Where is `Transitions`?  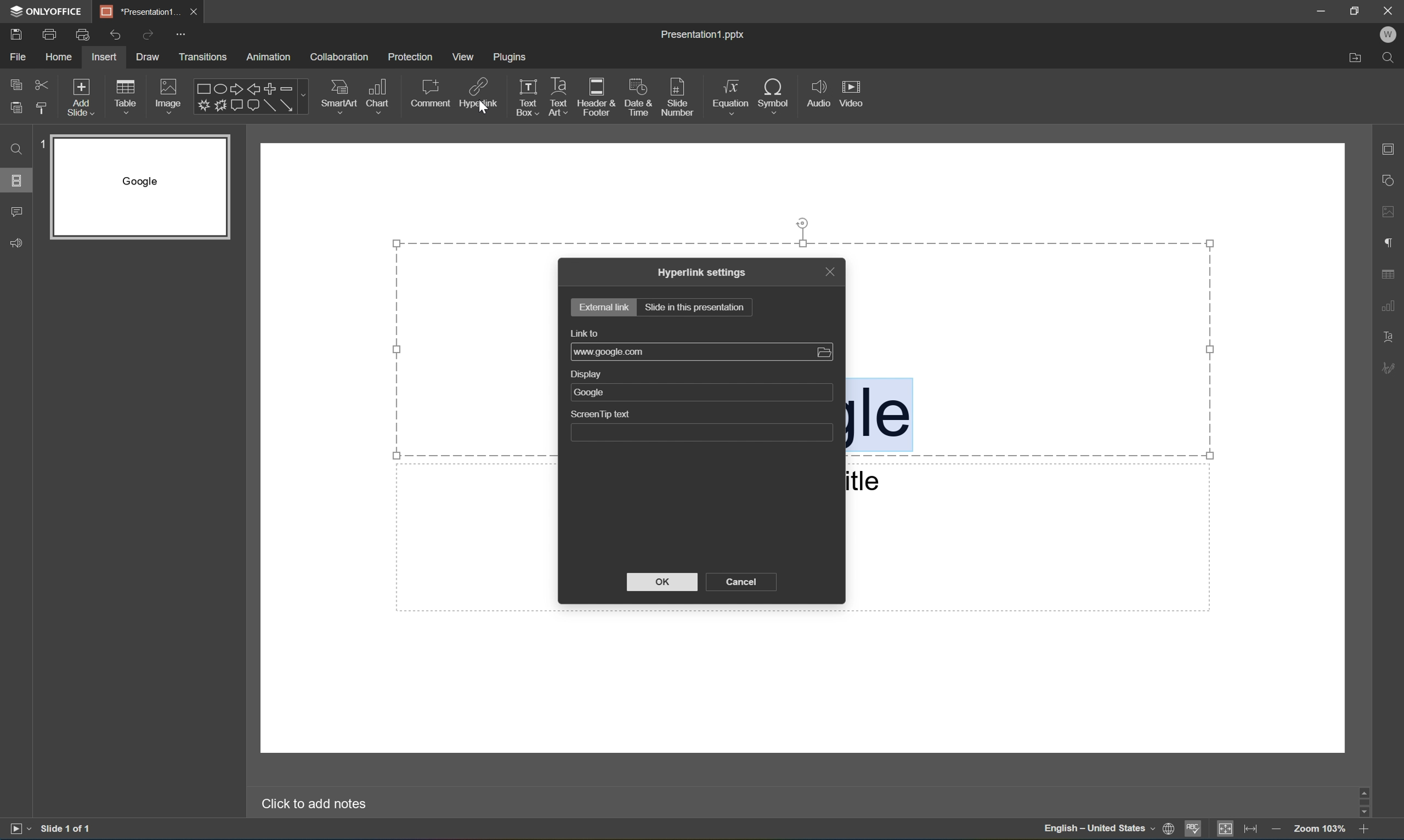
Transitions is located at coordinates (203, 57).